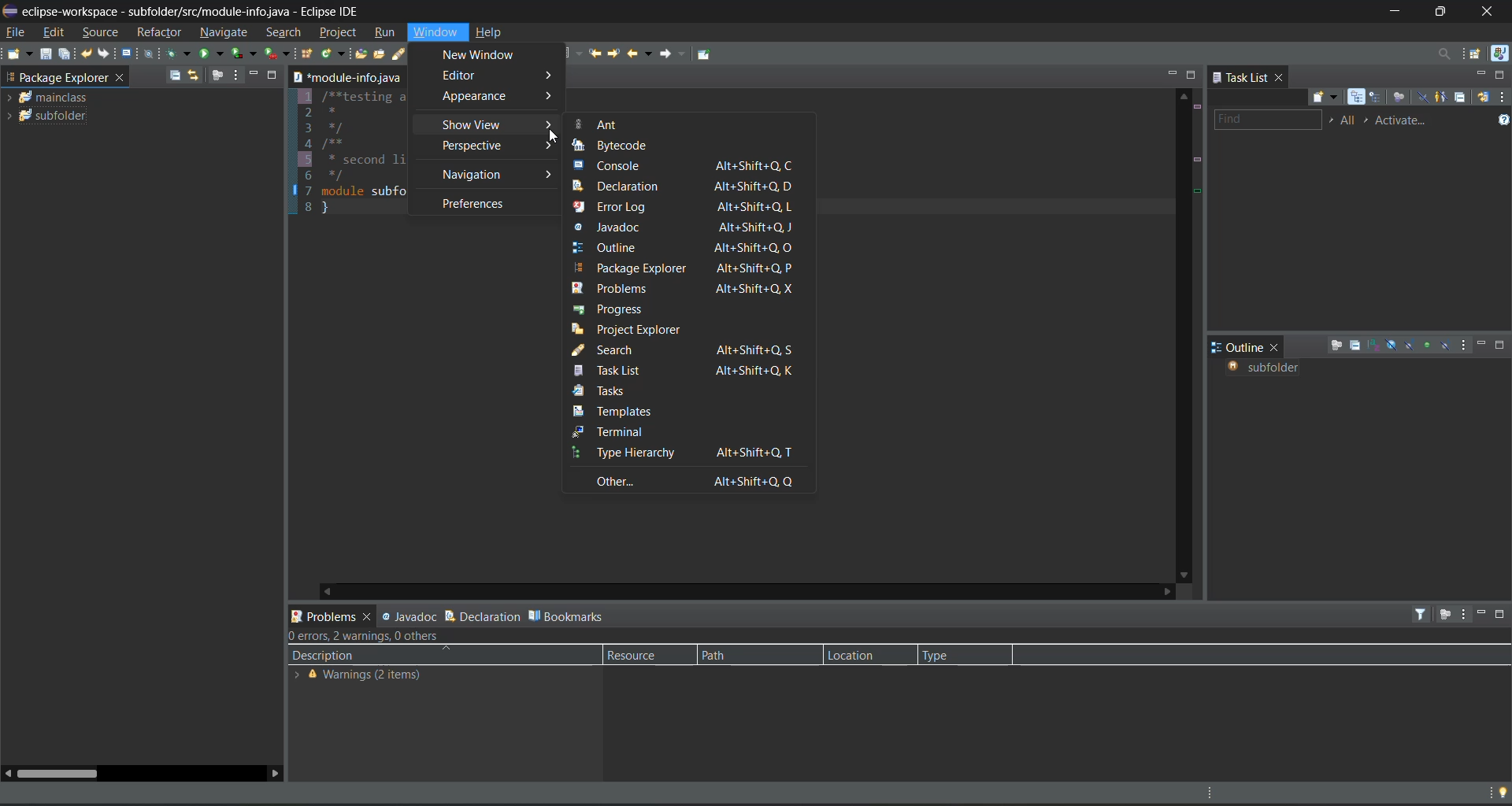  Describe the element at coordinates (1447, 347) in the screenshot. I see `hide local types` at that location.